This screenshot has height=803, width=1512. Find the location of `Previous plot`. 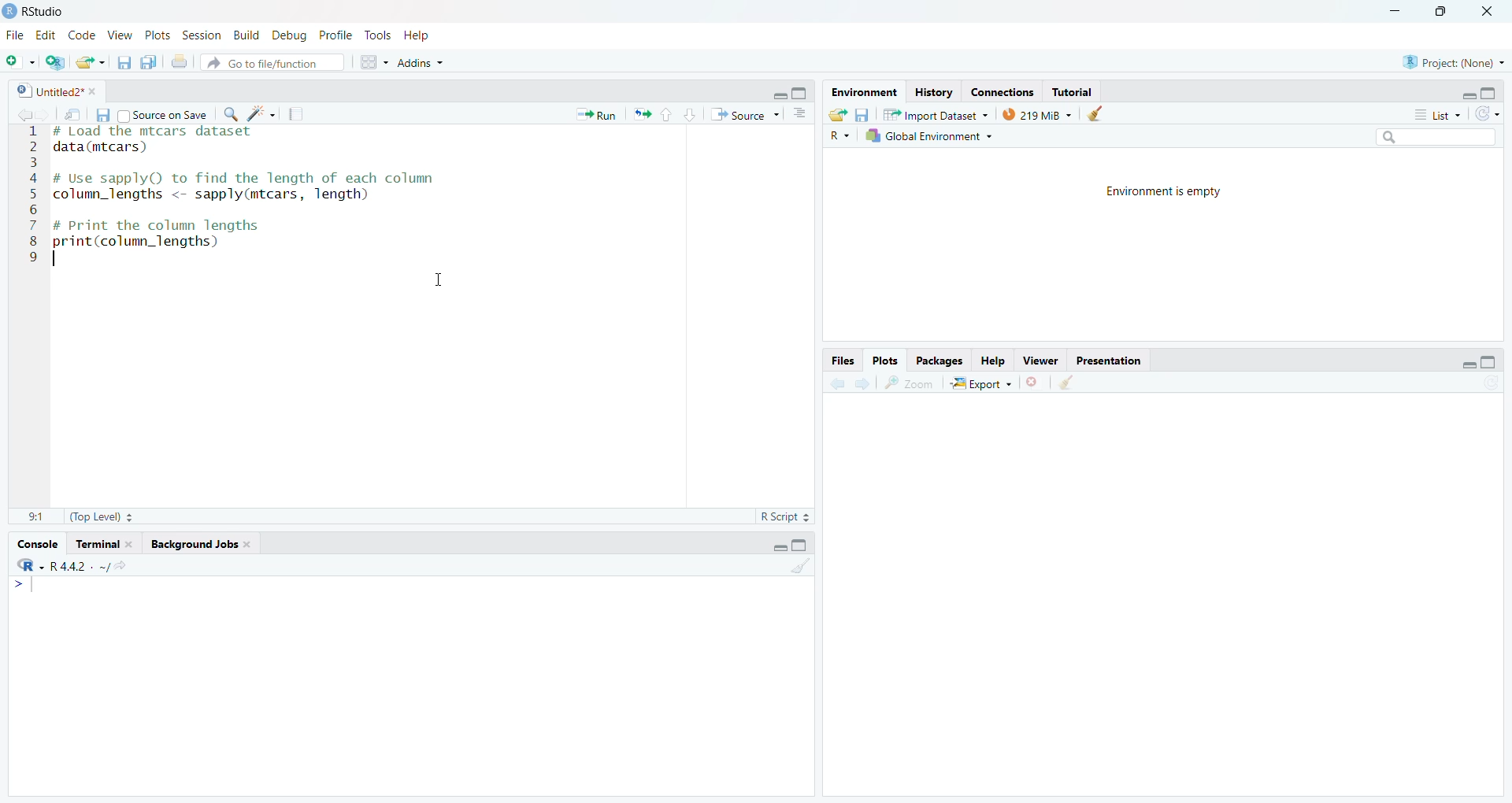

Previous plot is located at coordinates (837, 382).